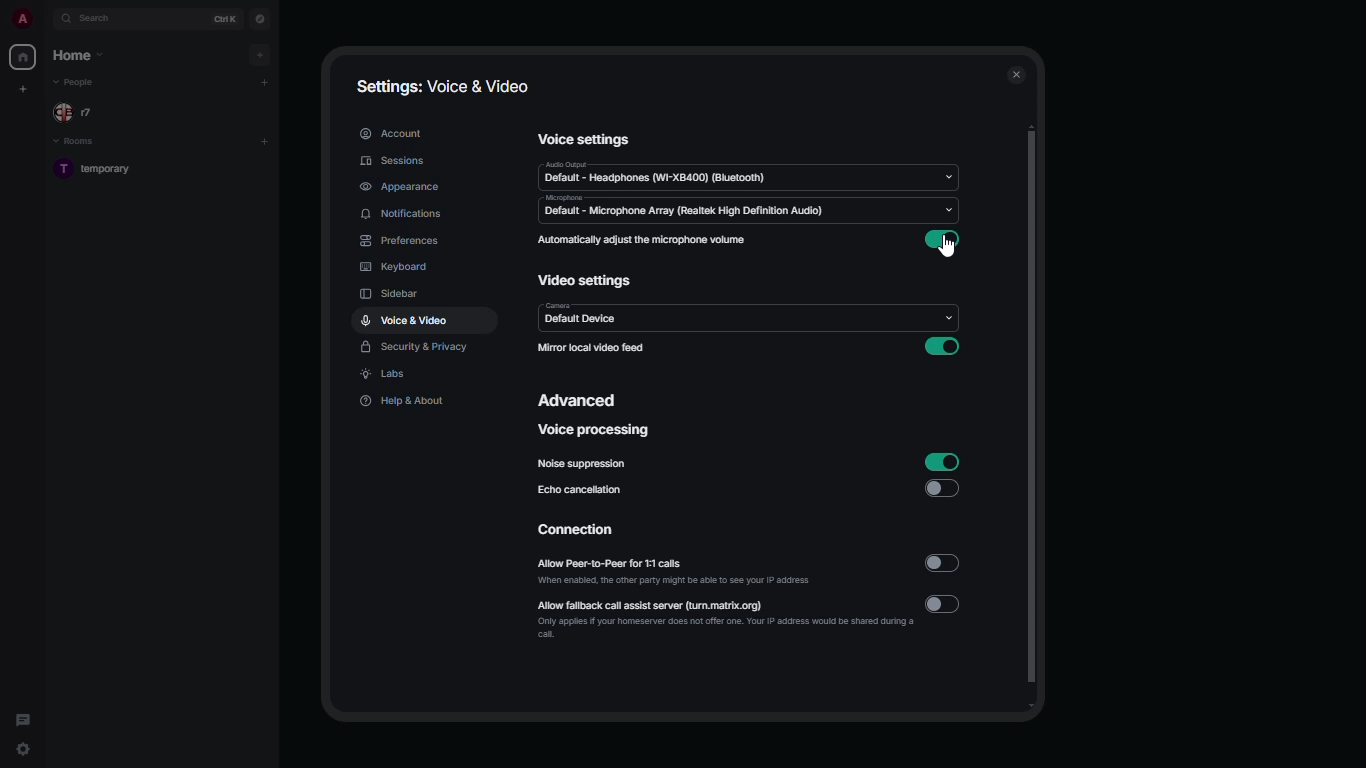  I want to click on enabled, so click(943, 461).